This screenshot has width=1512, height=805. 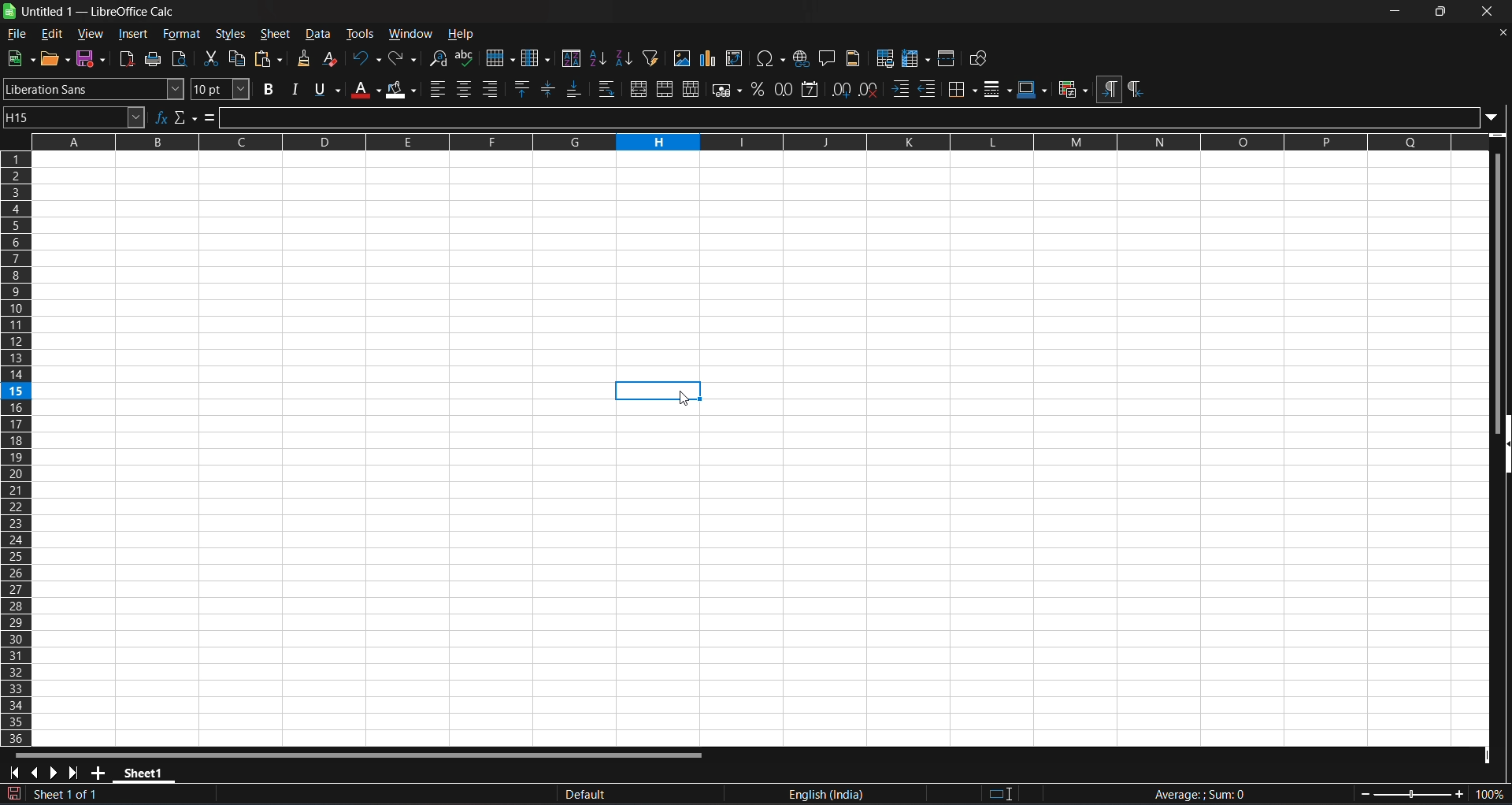 What do you see at coordinates (234, 35) in the screenshot?
I see `styles` at bounding box center [234, 35].